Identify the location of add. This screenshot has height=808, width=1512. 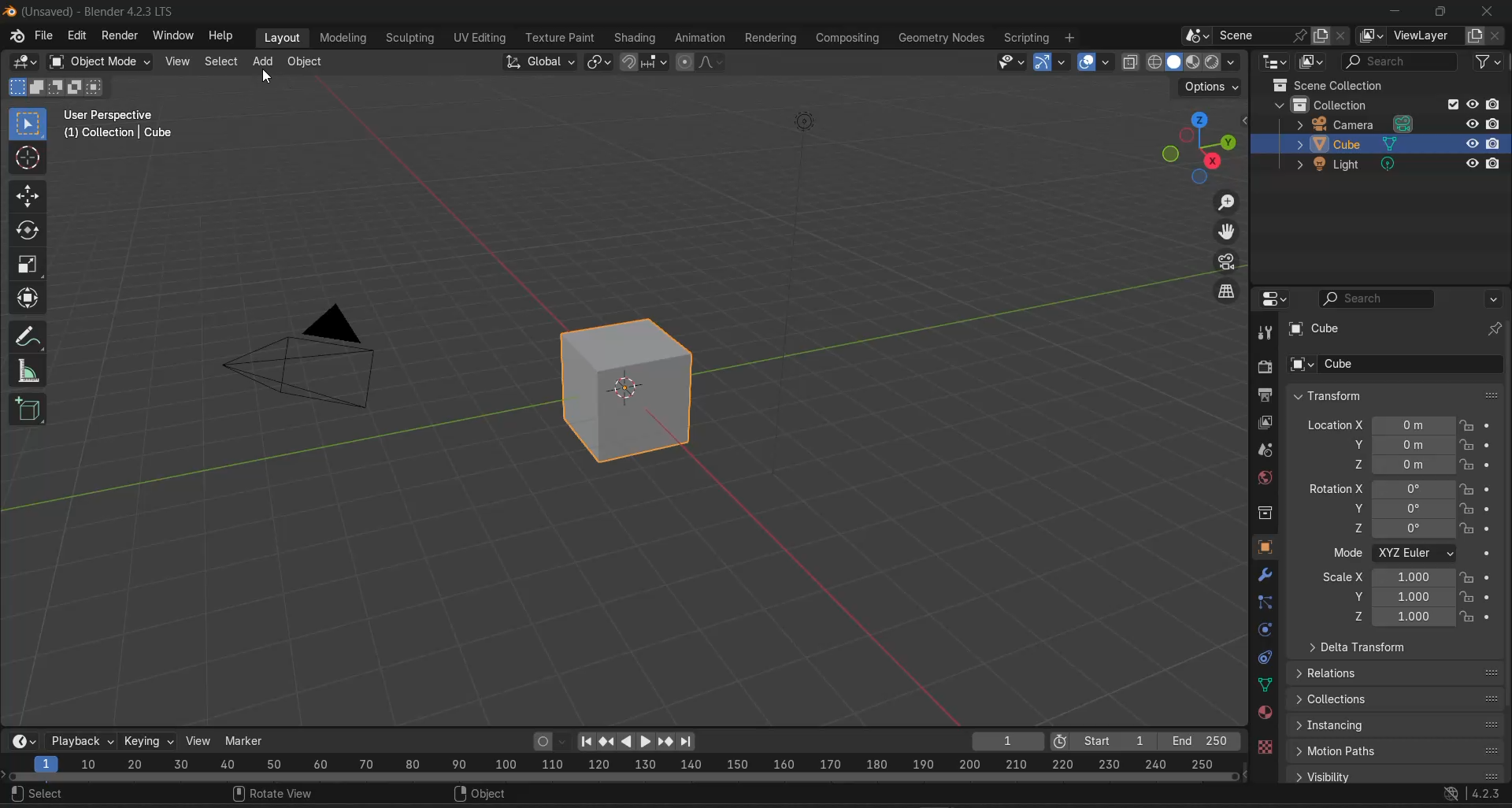
(261, 61).